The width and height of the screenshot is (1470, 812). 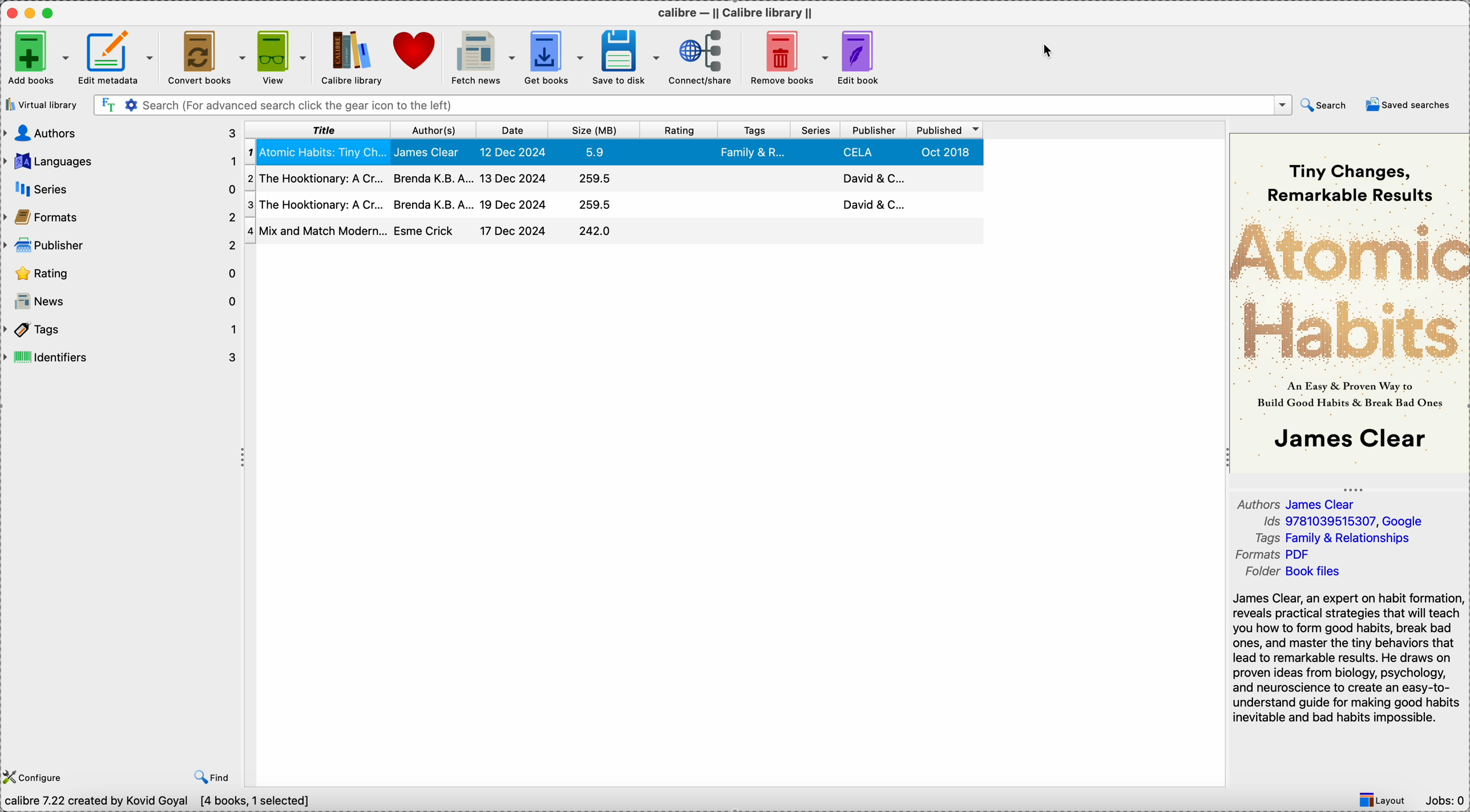 What do you see at coordinates (681, 130) in the screenshot?
I see `rating` at bounding box center [681, 130].